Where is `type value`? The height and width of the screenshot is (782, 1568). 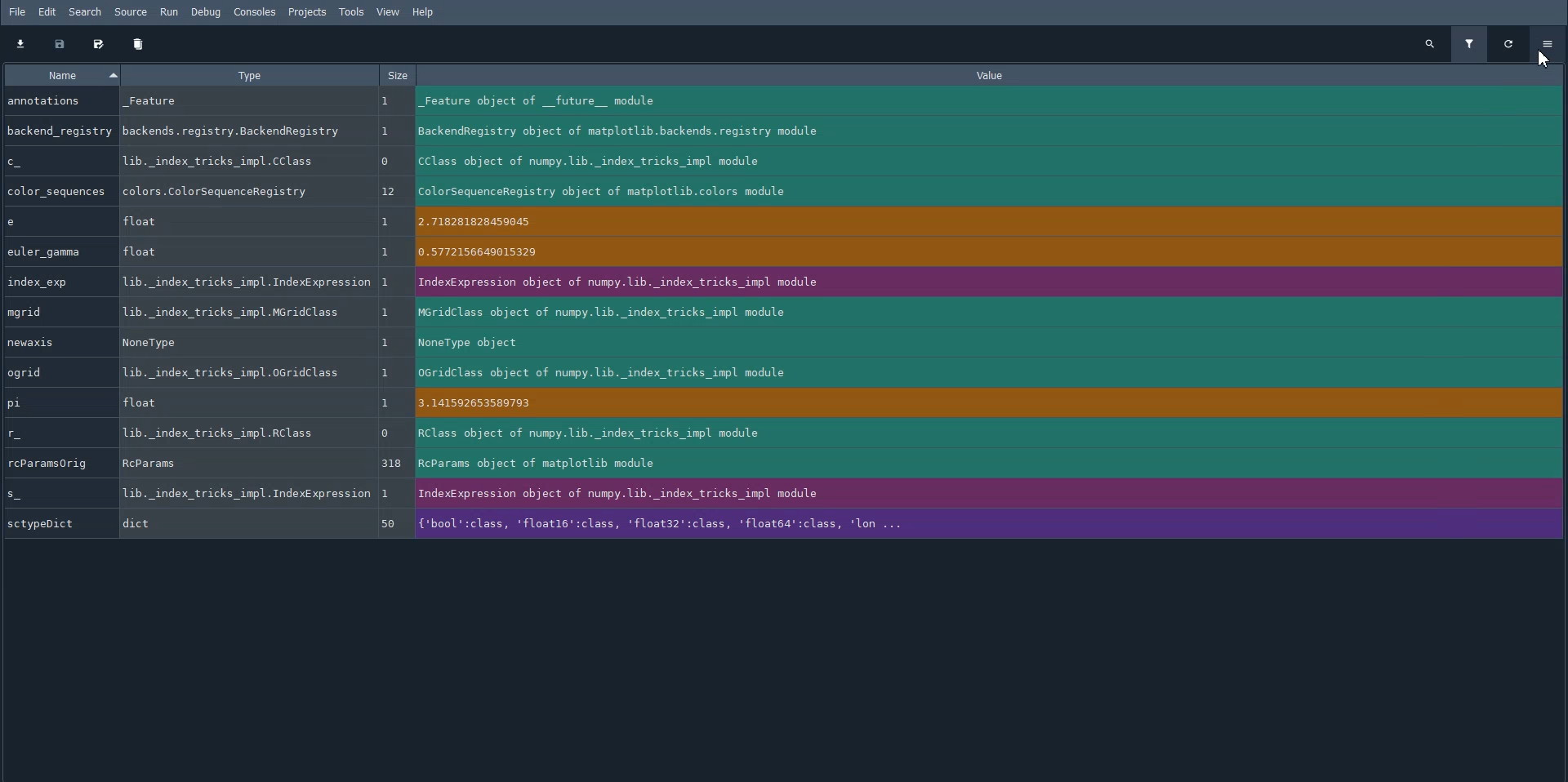
type value is located at coordinates (219, 433).